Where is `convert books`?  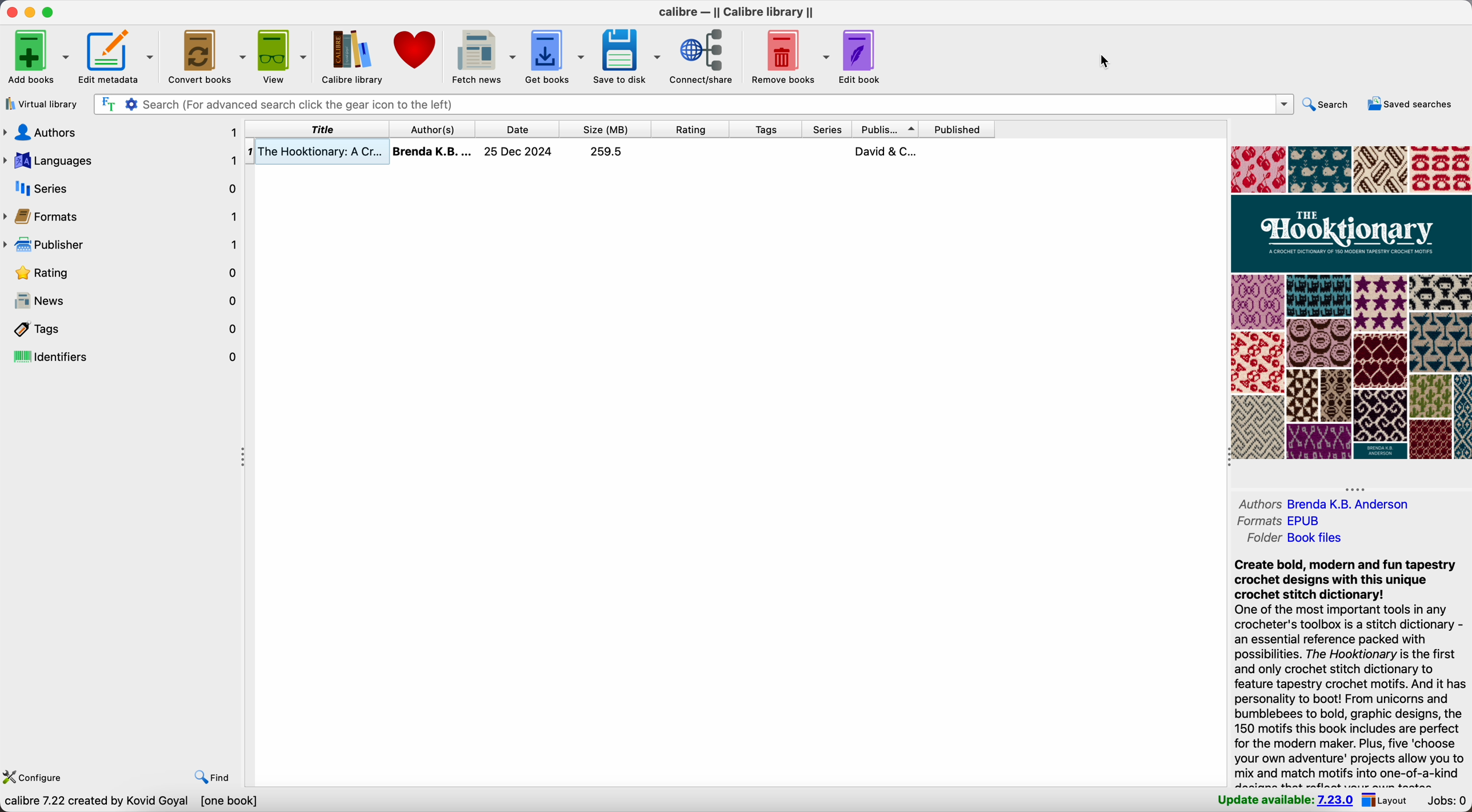
convert books is located at coordinates (209, 55).